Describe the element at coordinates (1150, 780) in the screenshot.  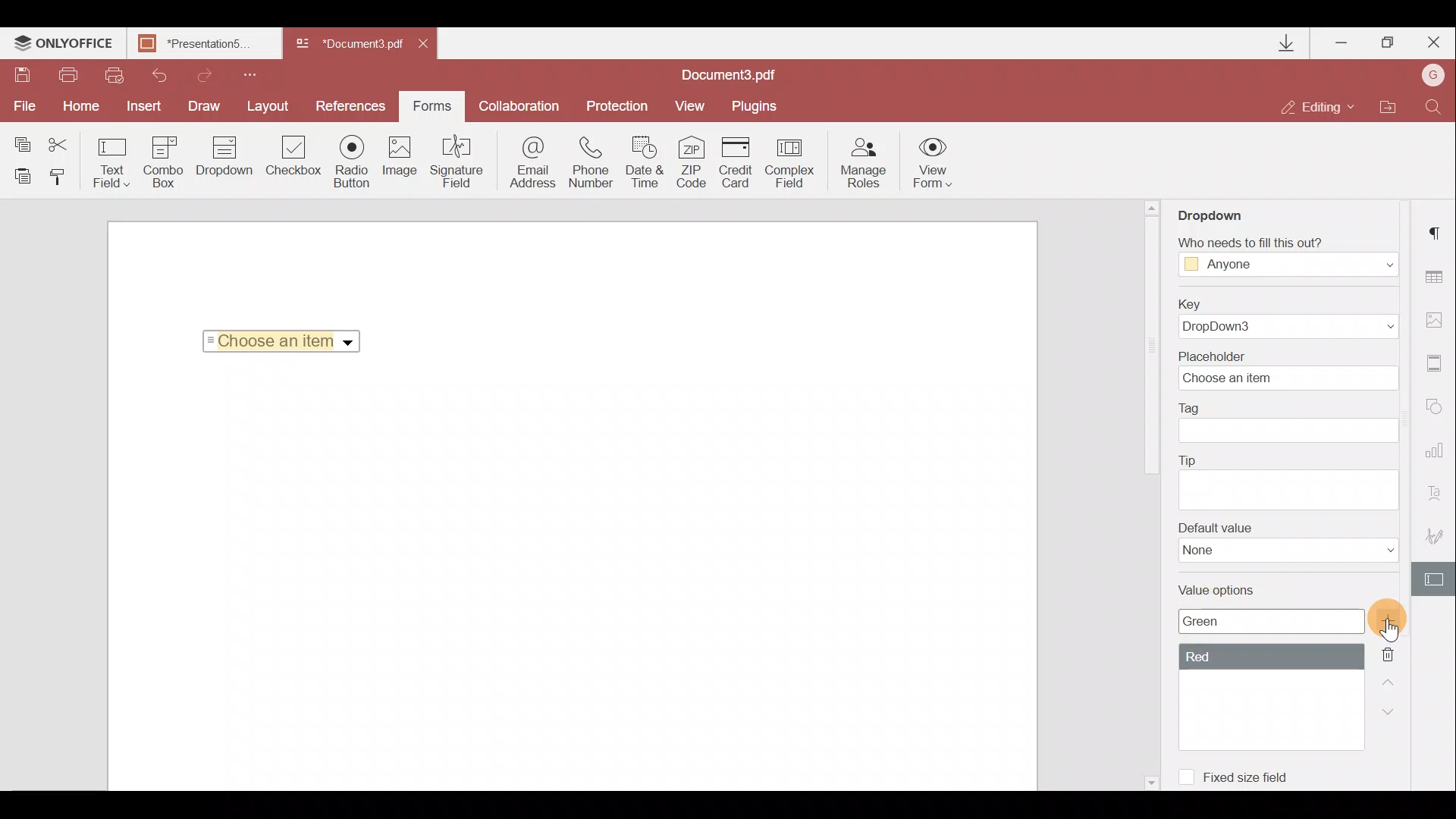
I see `Scroll down` at that location.